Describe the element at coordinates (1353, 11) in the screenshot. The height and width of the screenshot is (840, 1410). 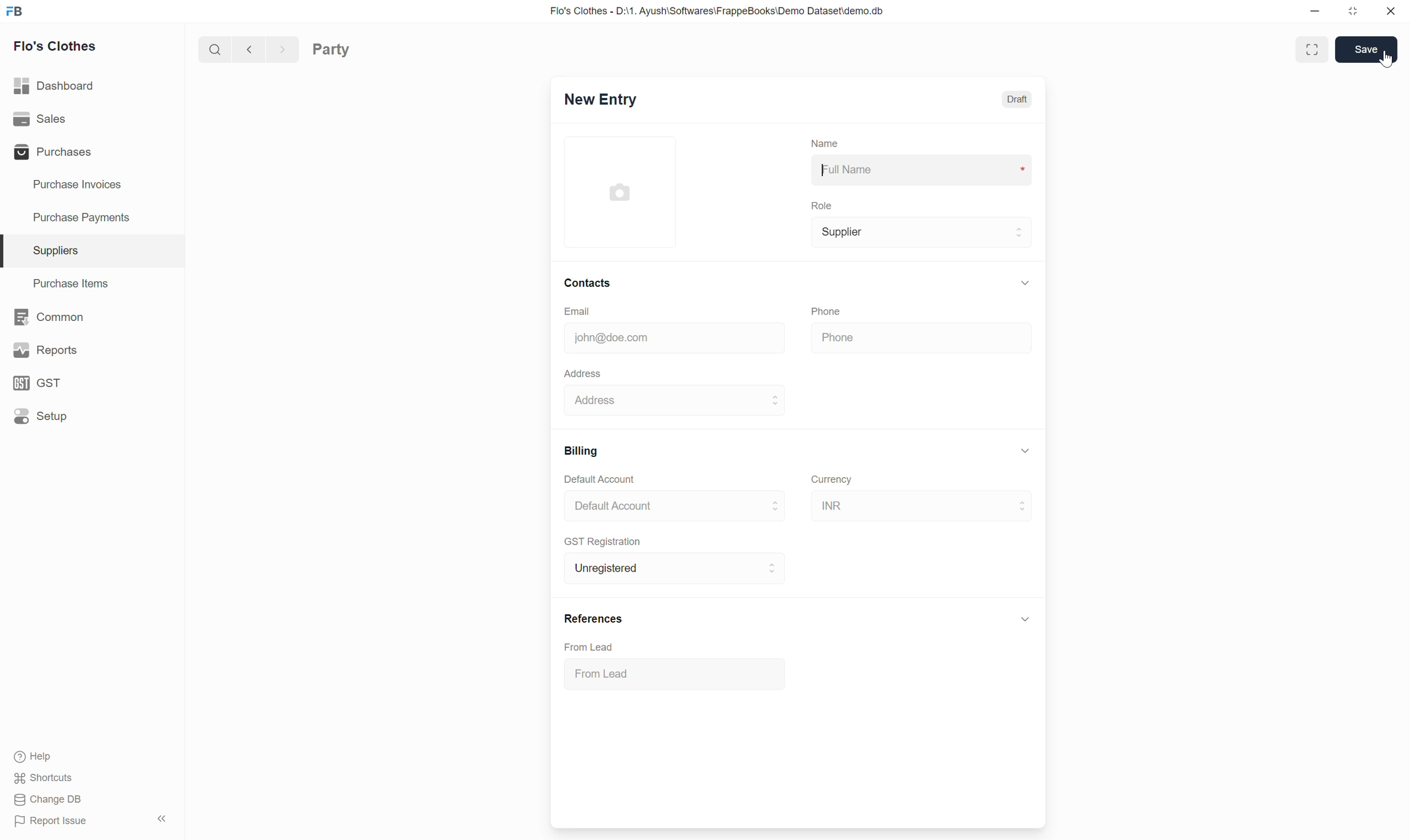
I see `Change dimension` at that location.